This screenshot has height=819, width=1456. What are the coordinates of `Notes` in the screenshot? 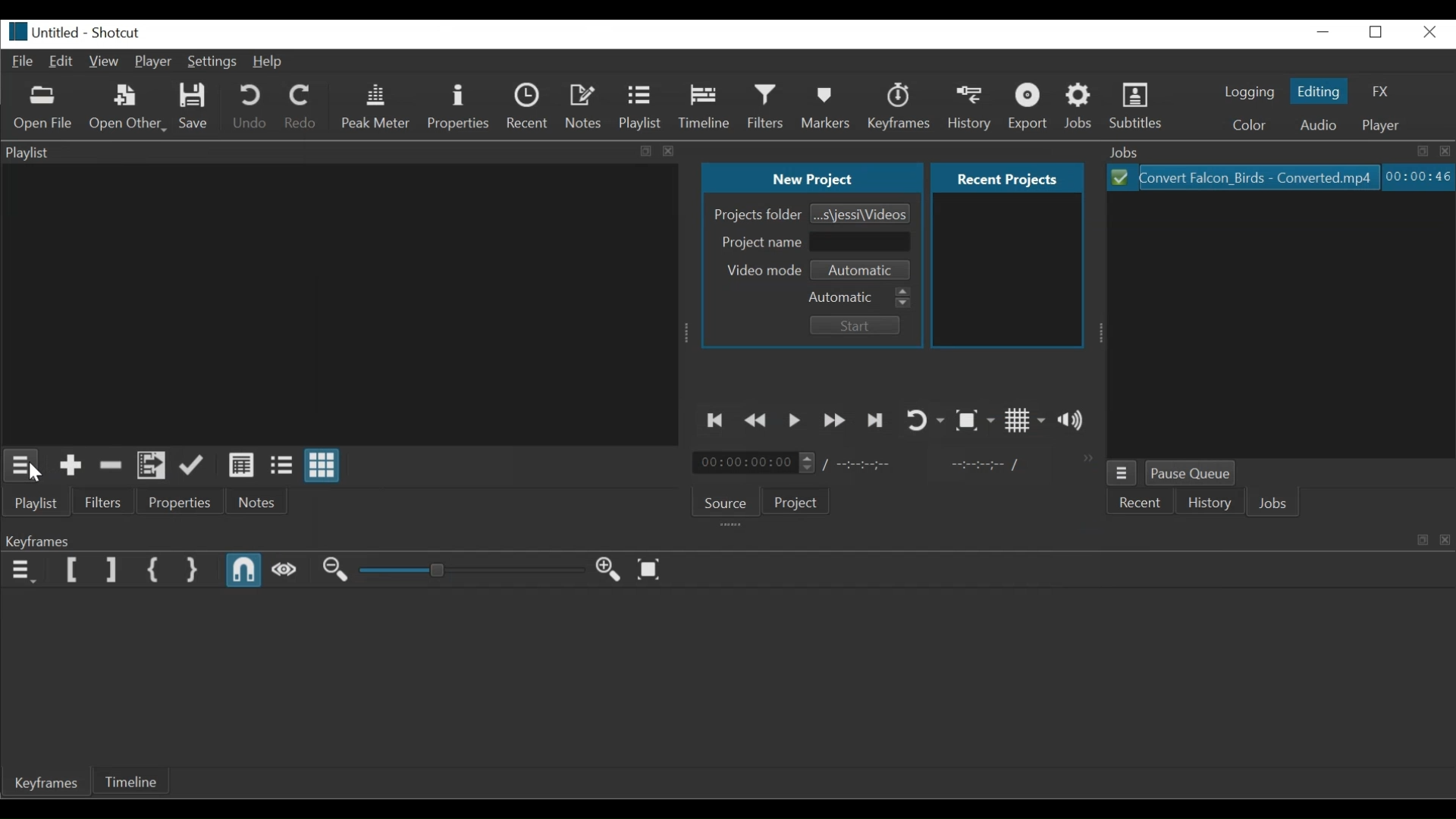 It's located at (258, 501).